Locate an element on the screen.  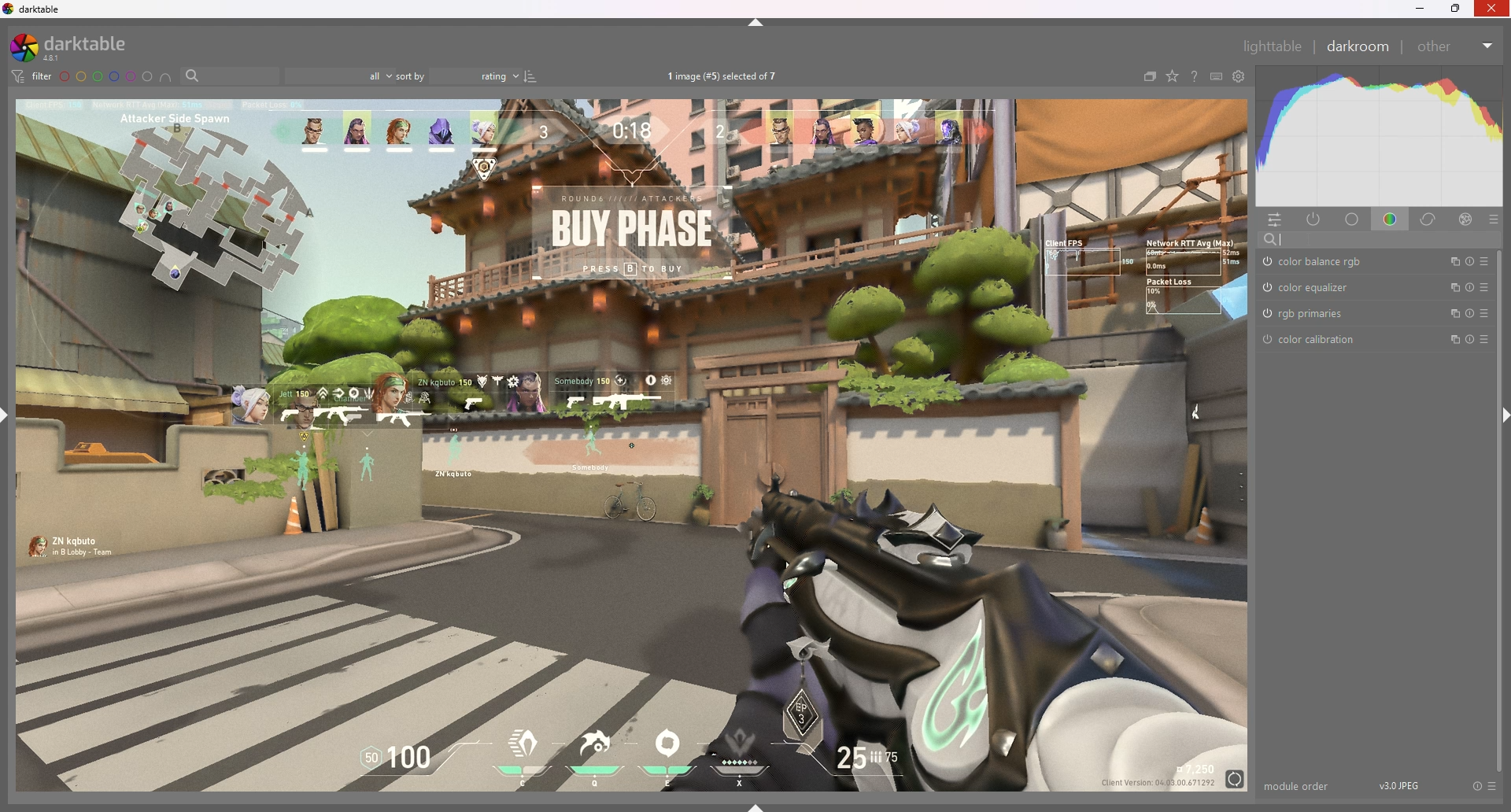
multiple instances action is located at coordinates (1449, 315).